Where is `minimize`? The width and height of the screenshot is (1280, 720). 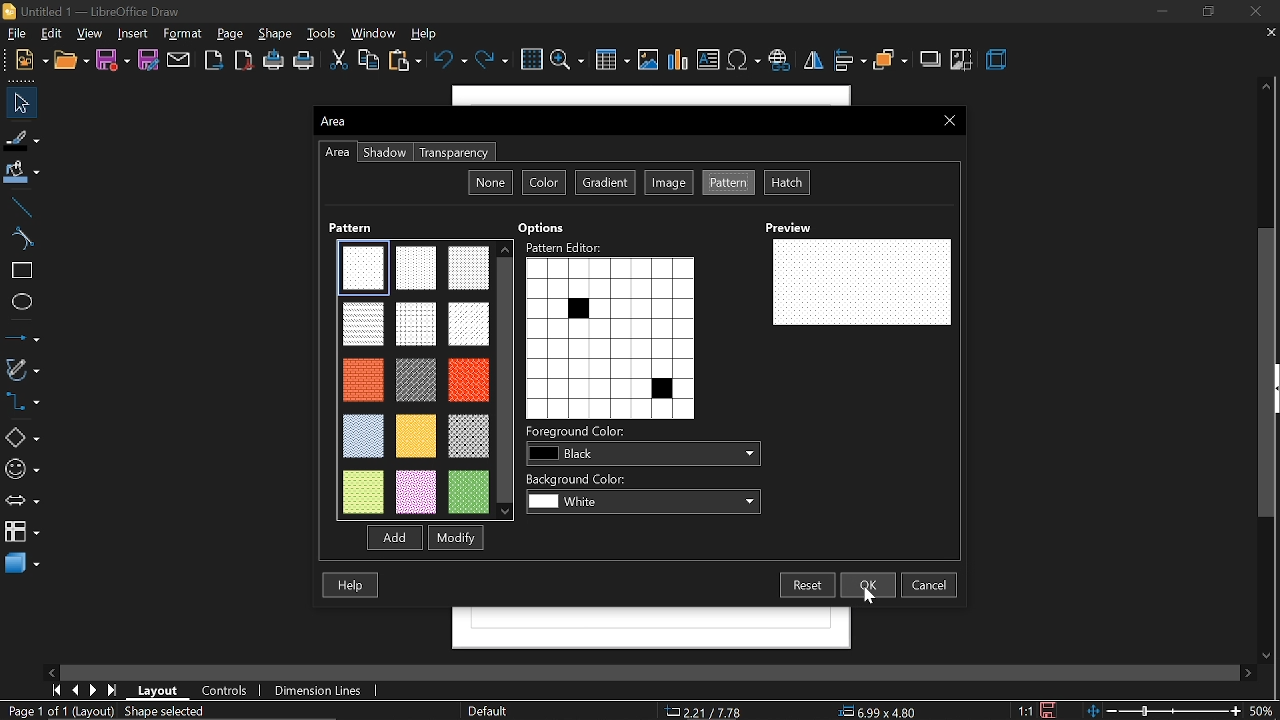 minimize is located at coordinates (1157, 13).